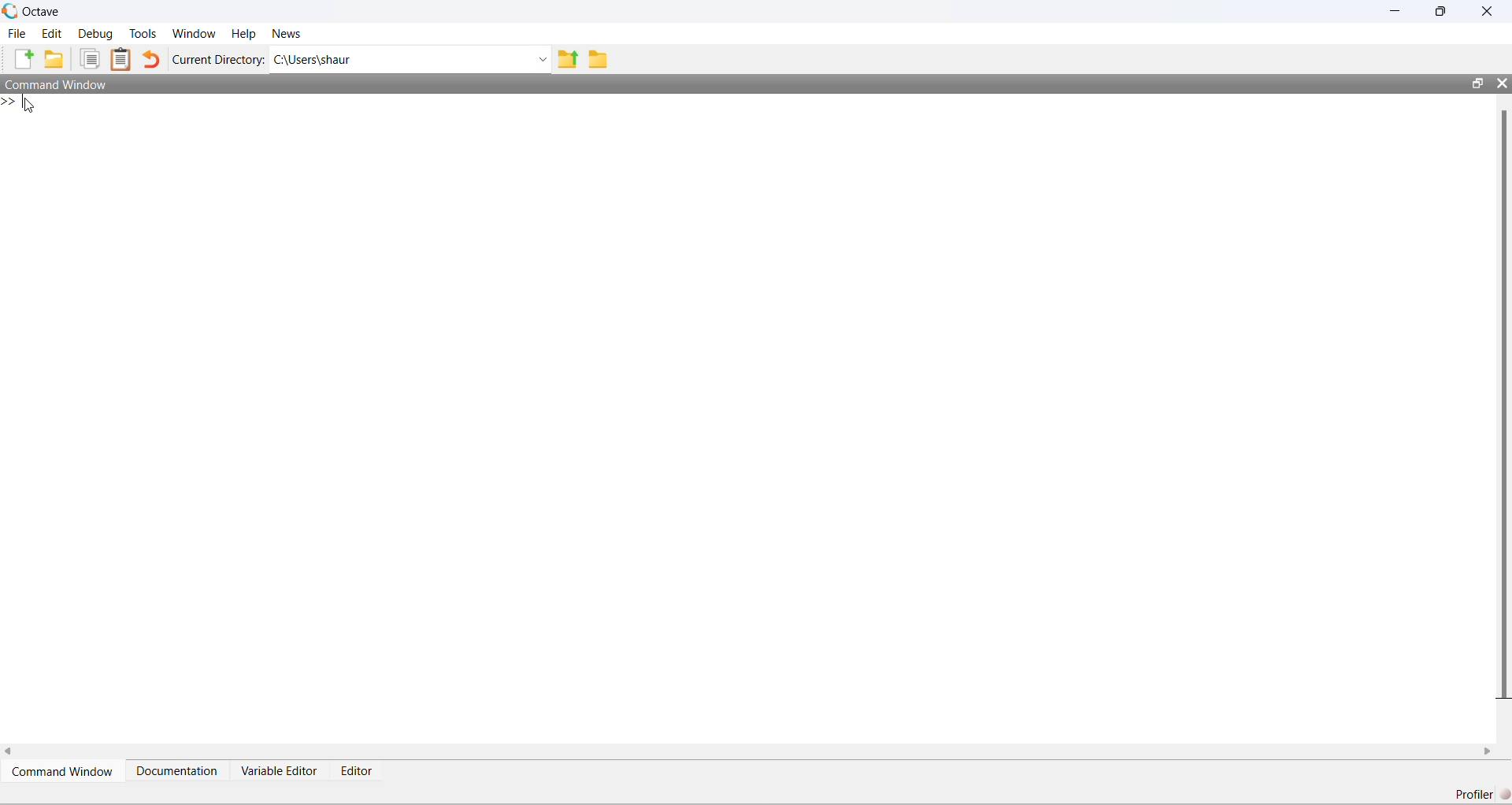  What do you see at coordinates (10, 11) in the screenshot?
I see `Octave logo` at bounding box center [10, 11].